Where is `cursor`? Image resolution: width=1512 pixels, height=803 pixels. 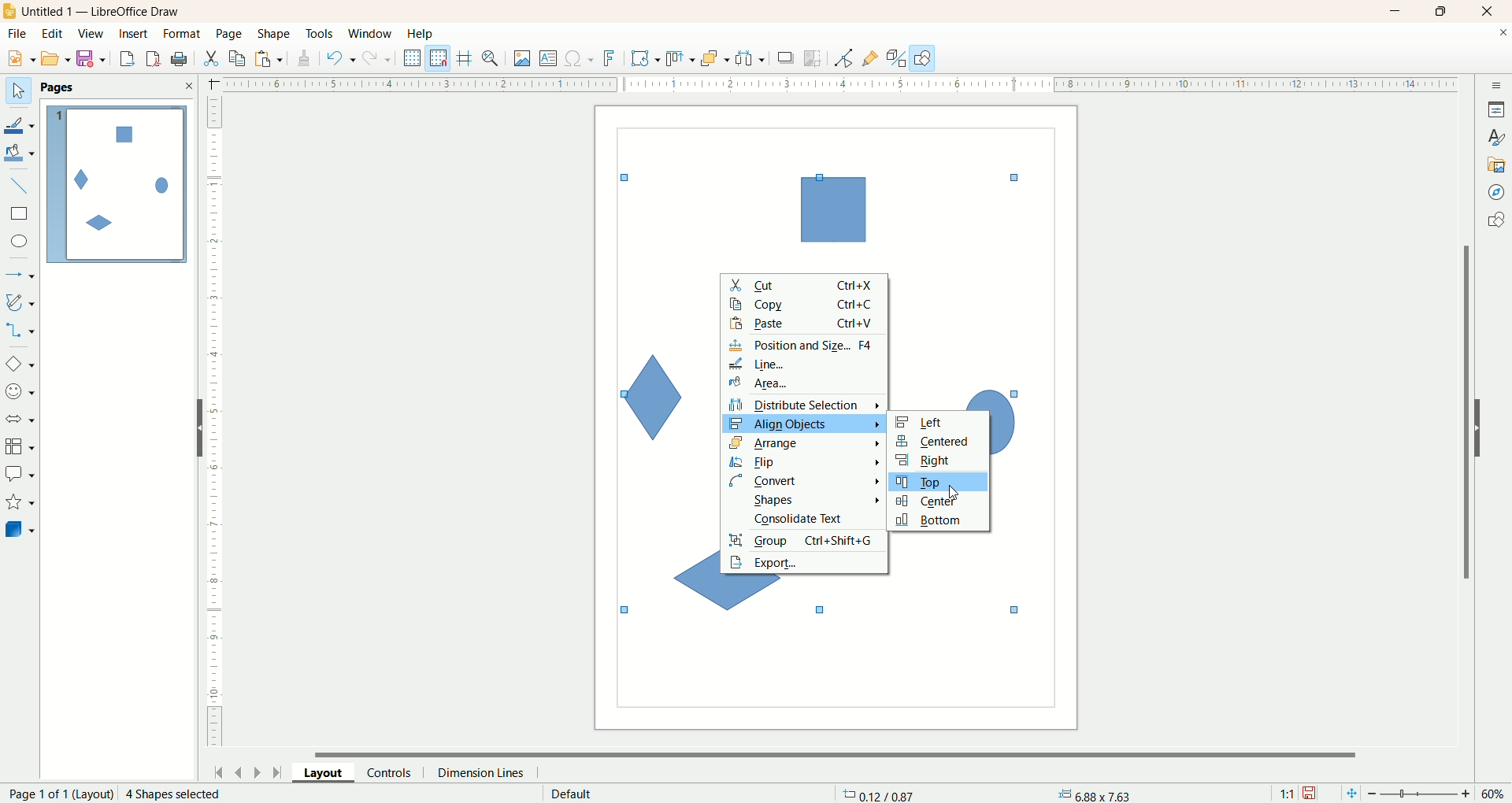
cursor is located at coordinates (954, 491).